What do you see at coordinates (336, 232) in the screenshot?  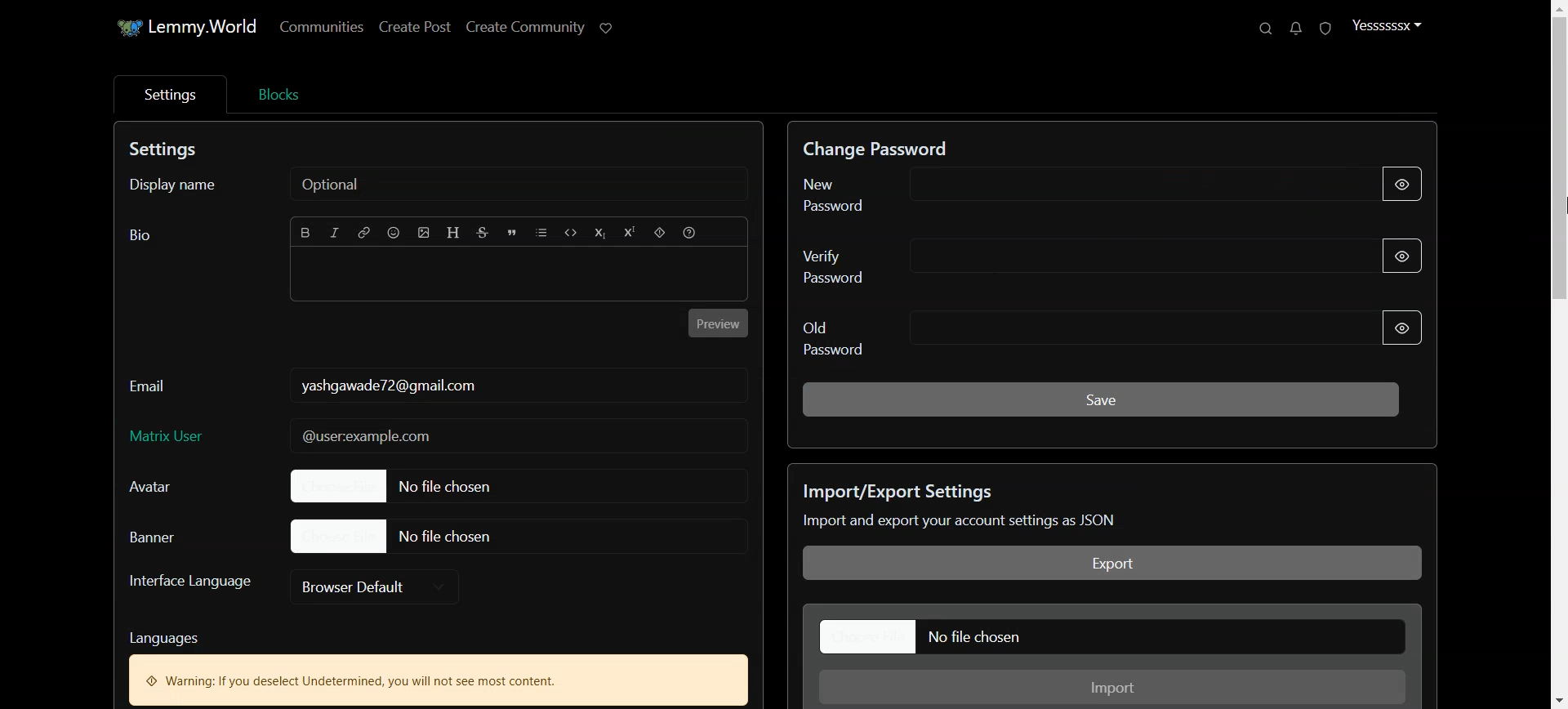 I see `Italic` at bounding box center [336, 232].